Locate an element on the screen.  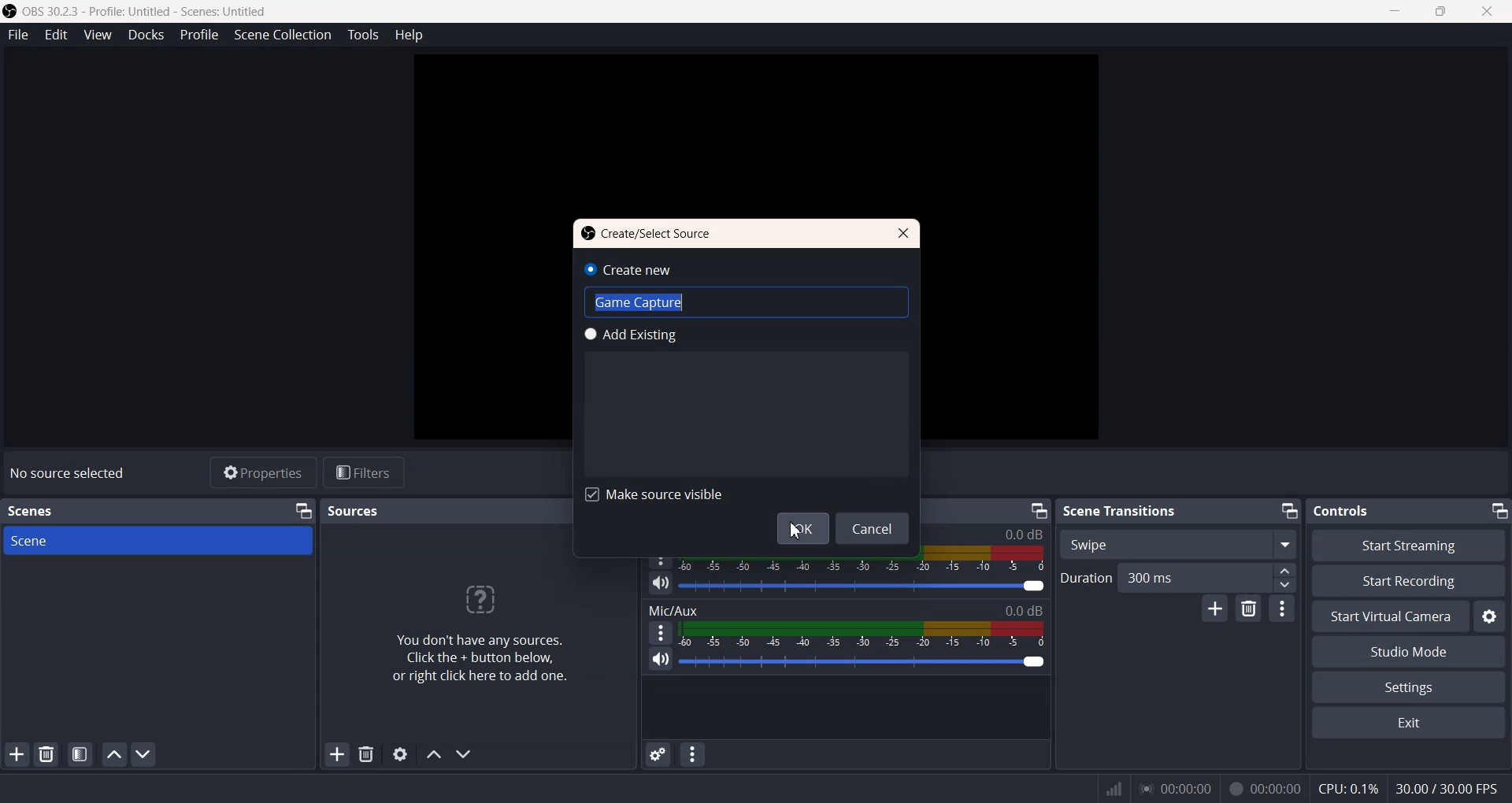
Audio Mixer menu is located at coordinates (691, 756).